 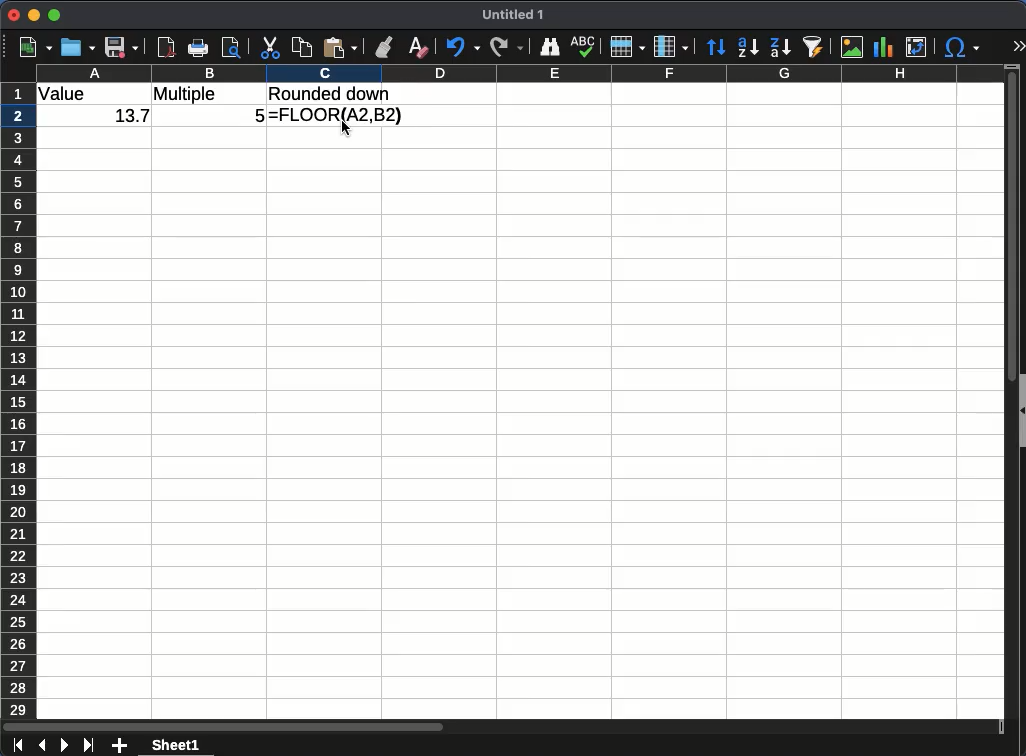 I want to click on add sheet, so click(x=119, y=744).